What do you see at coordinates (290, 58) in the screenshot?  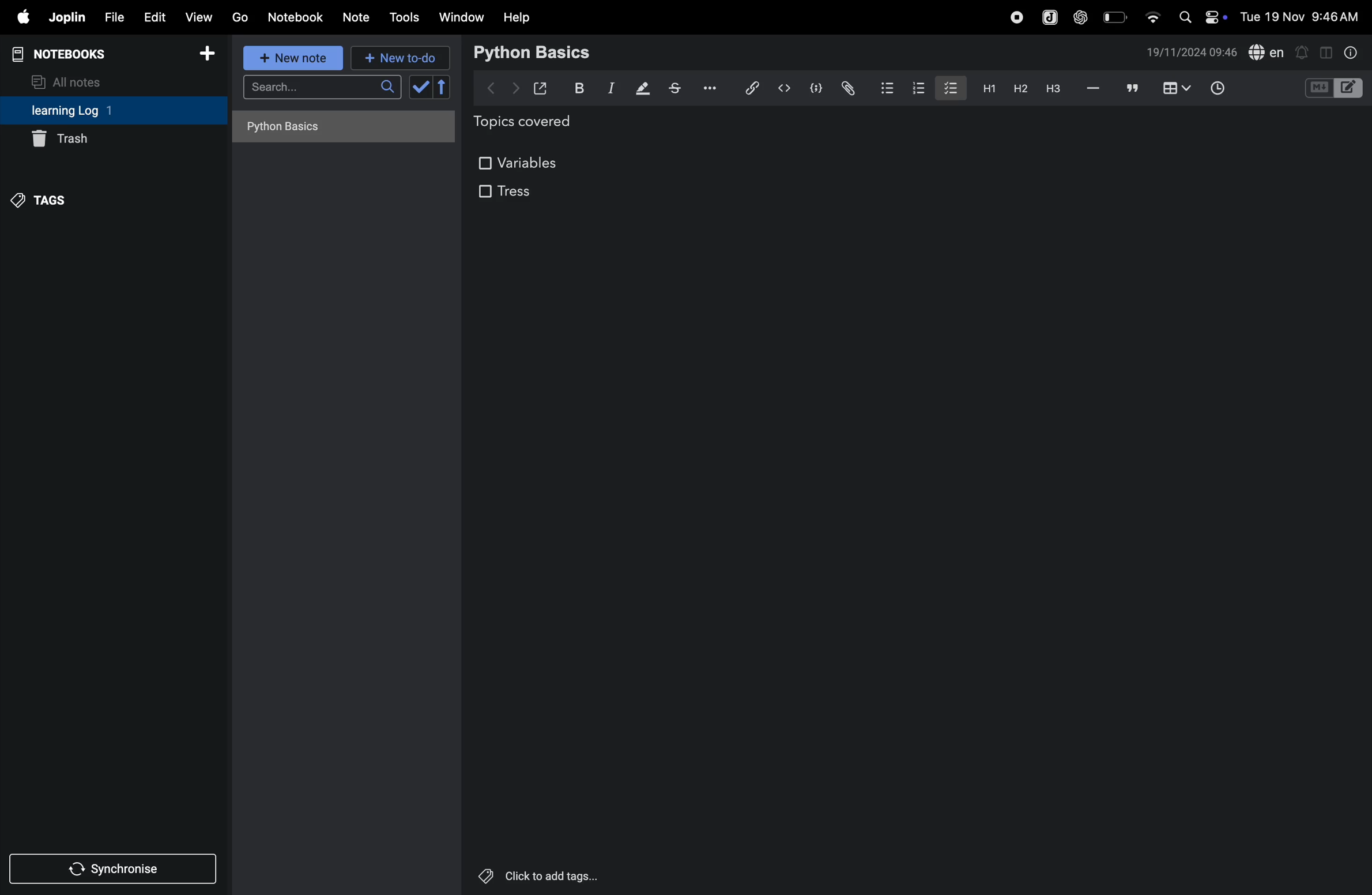 I see `new note` at bounding box center [290, 58].